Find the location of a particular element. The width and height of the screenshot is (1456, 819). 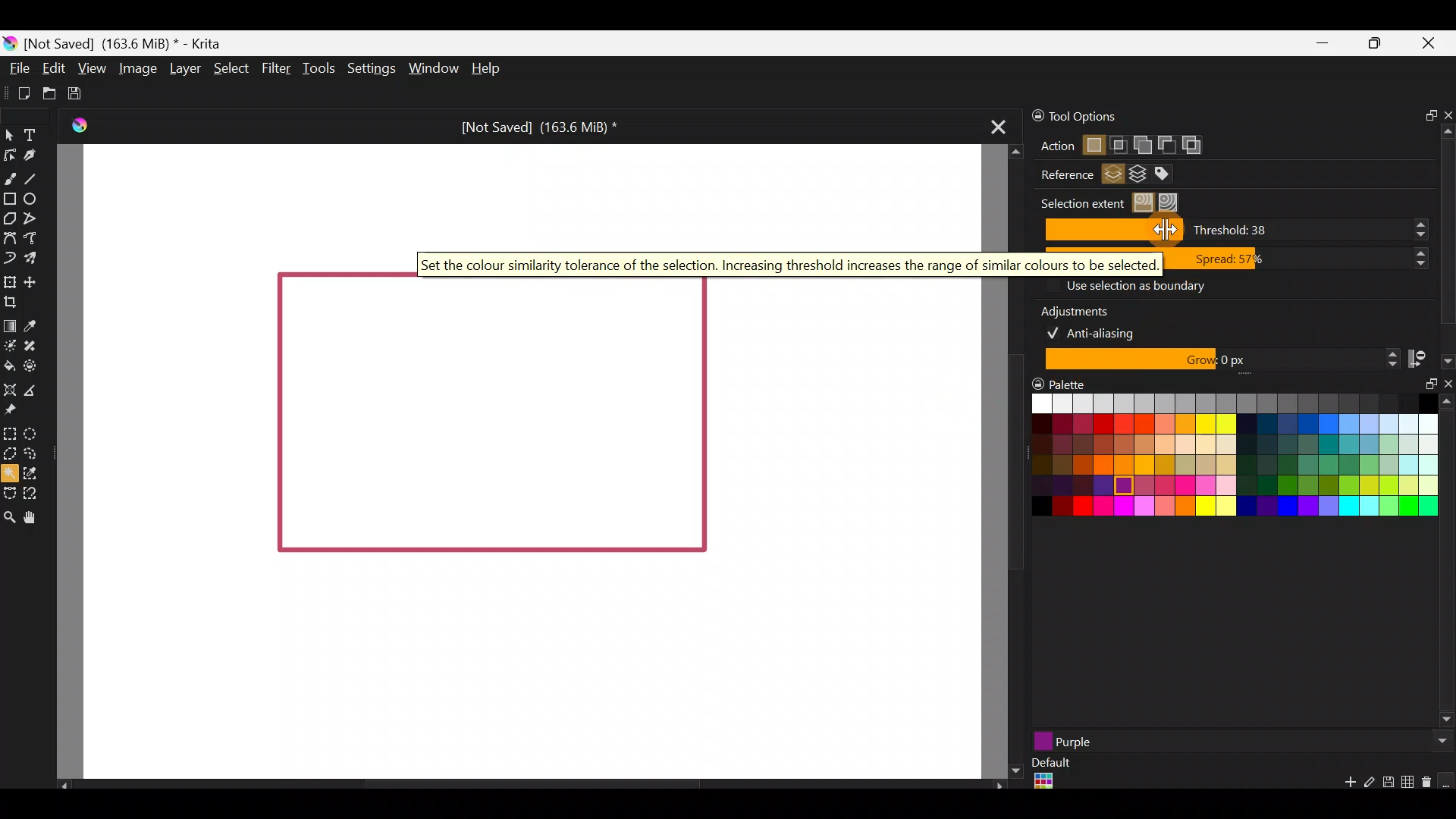

Edit swatch/group is located at coordinates (1370, 786).